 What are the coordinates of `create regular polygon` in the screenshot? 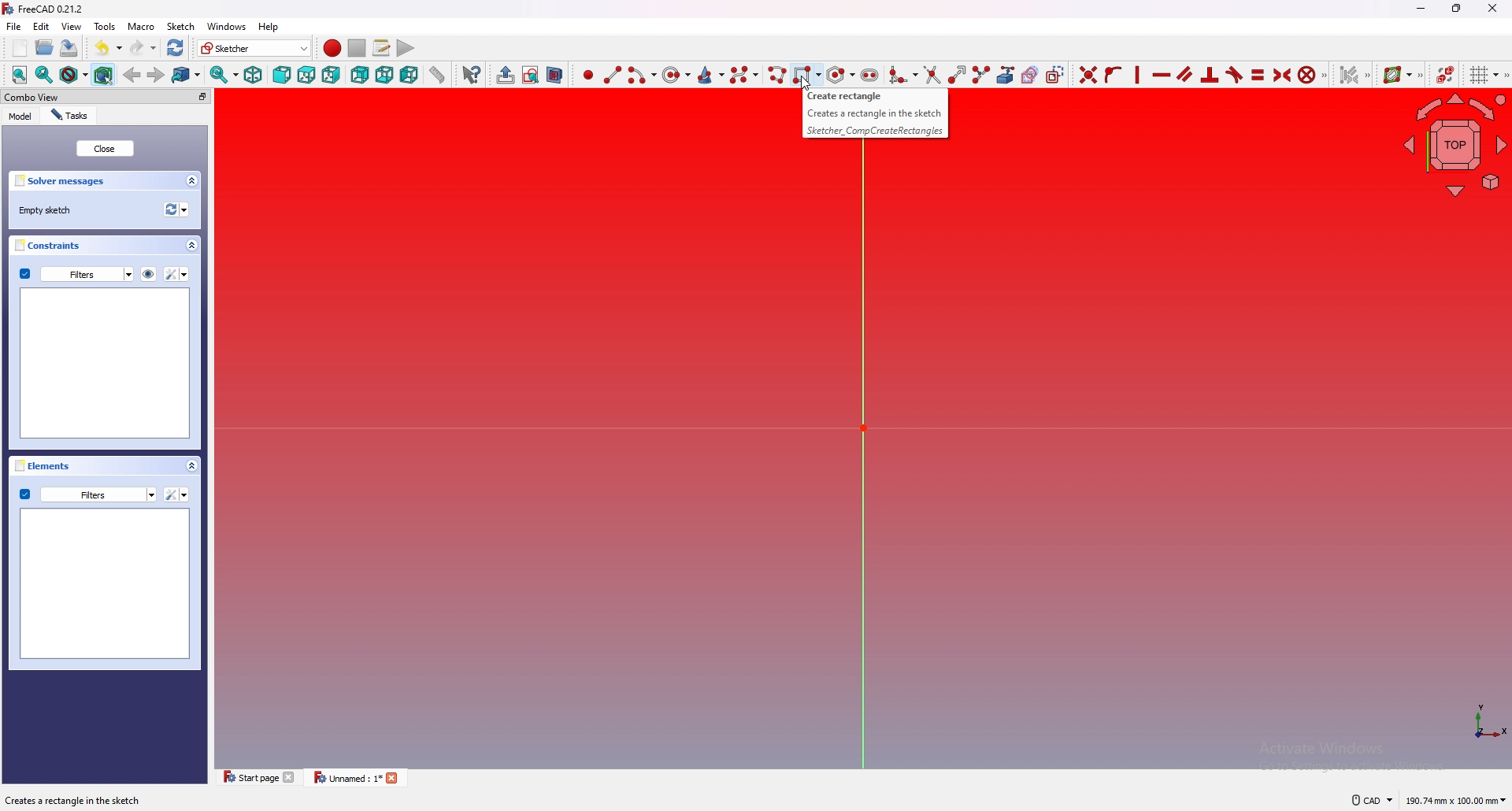 It's located at (840, 74).